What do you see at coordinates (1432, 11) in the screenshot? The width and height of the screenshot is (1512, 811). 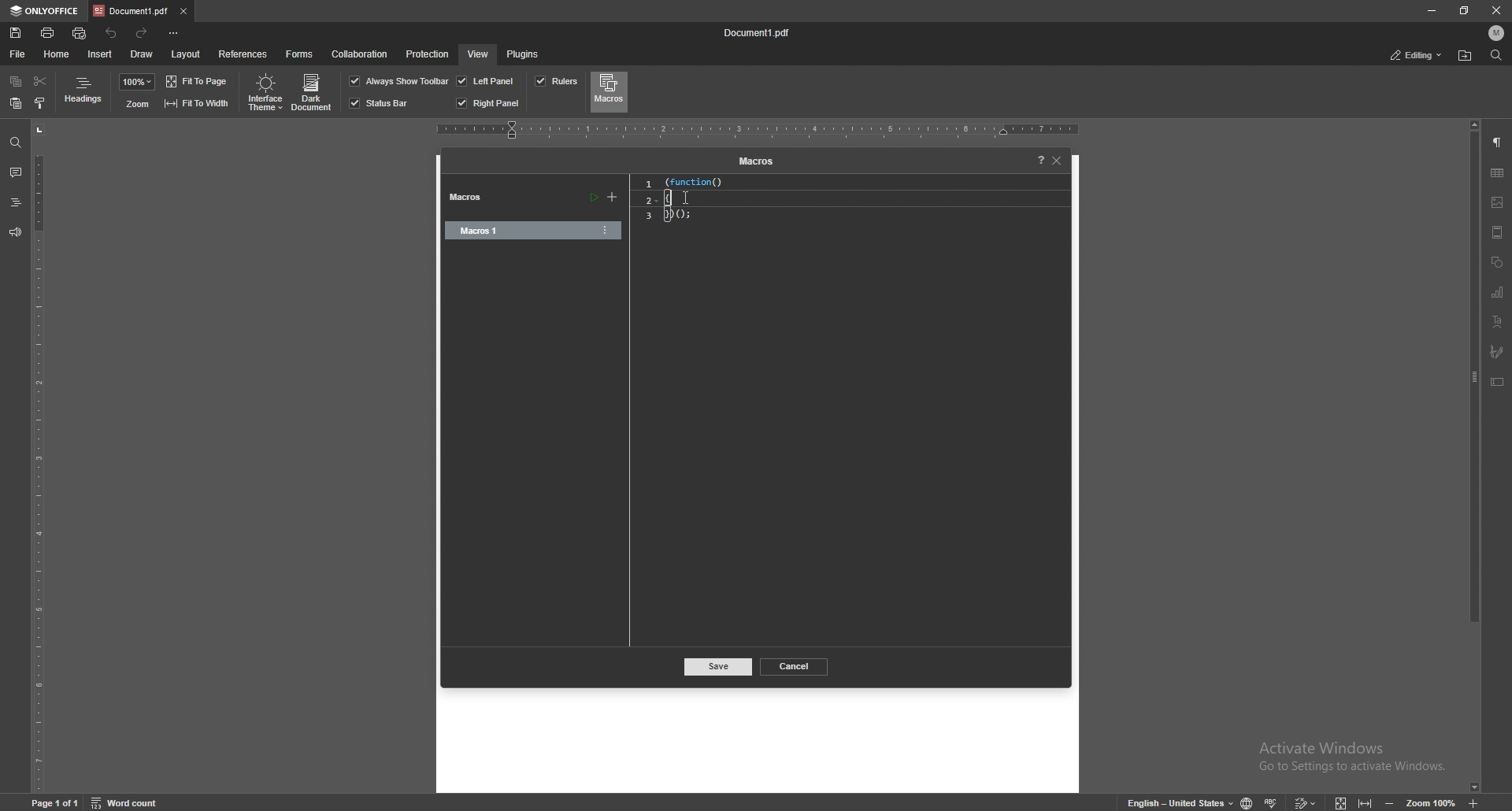 I see `minimize` at bounding box center [1432, 11].